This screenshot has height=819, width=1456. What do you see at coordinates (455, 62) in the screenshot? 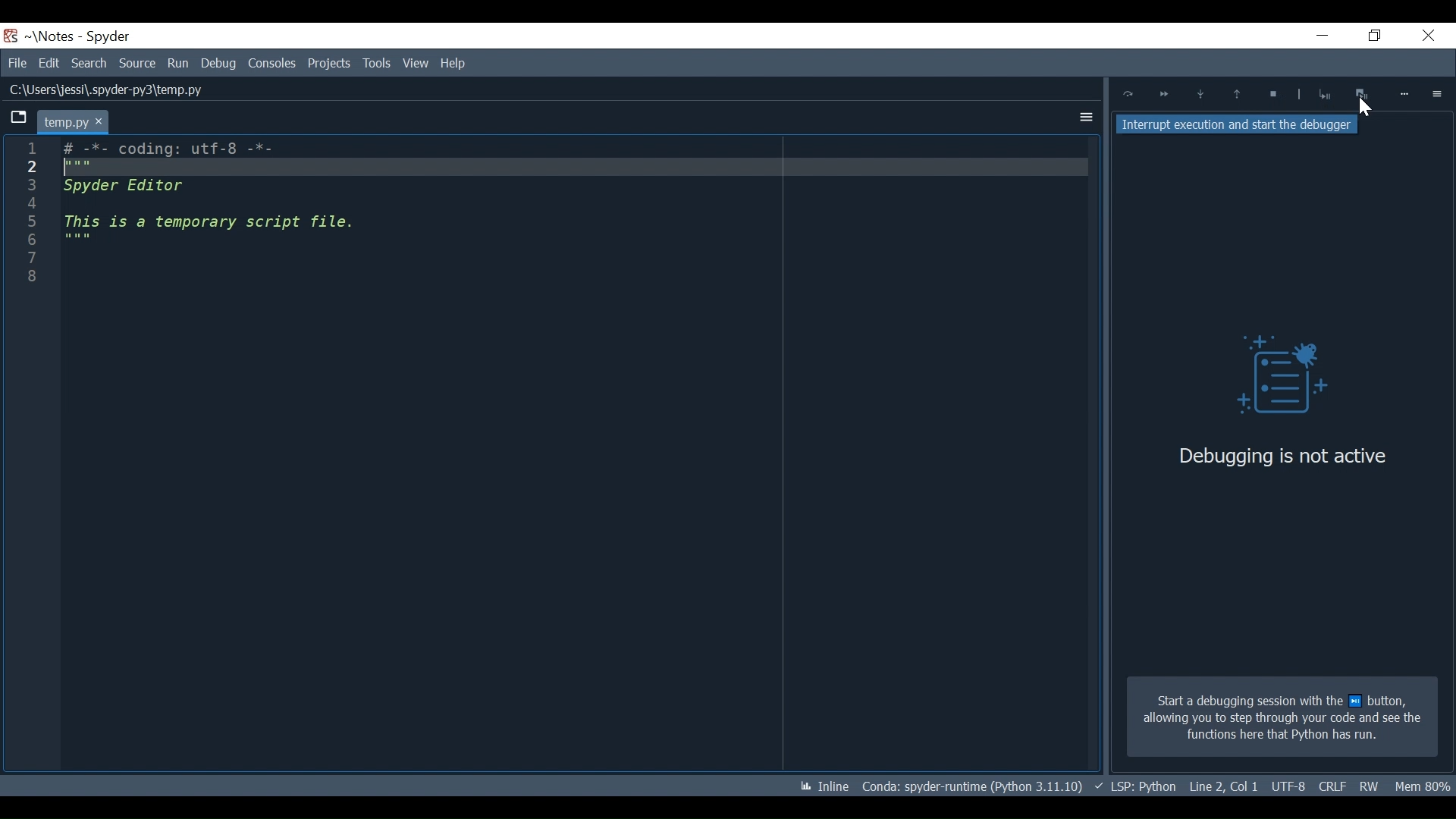
I see `Help` at bounding box center [455, 62].